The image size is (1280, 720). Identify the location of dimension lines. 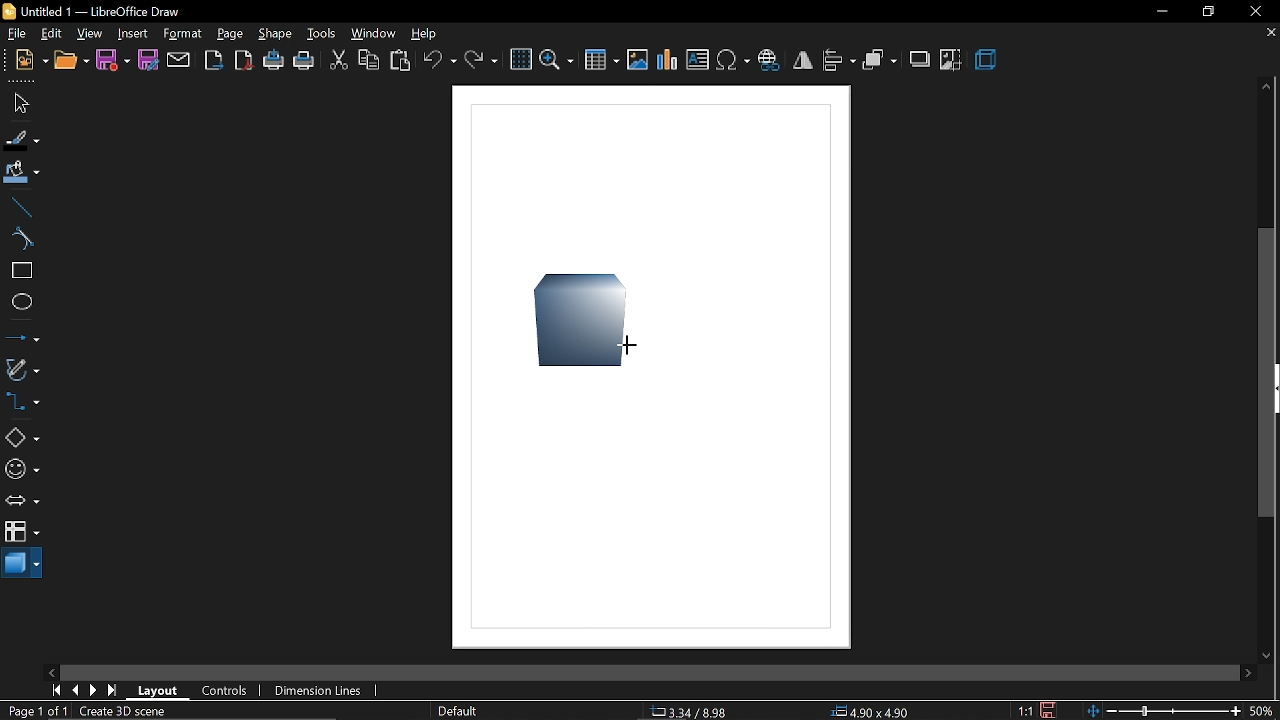
(319, 691).